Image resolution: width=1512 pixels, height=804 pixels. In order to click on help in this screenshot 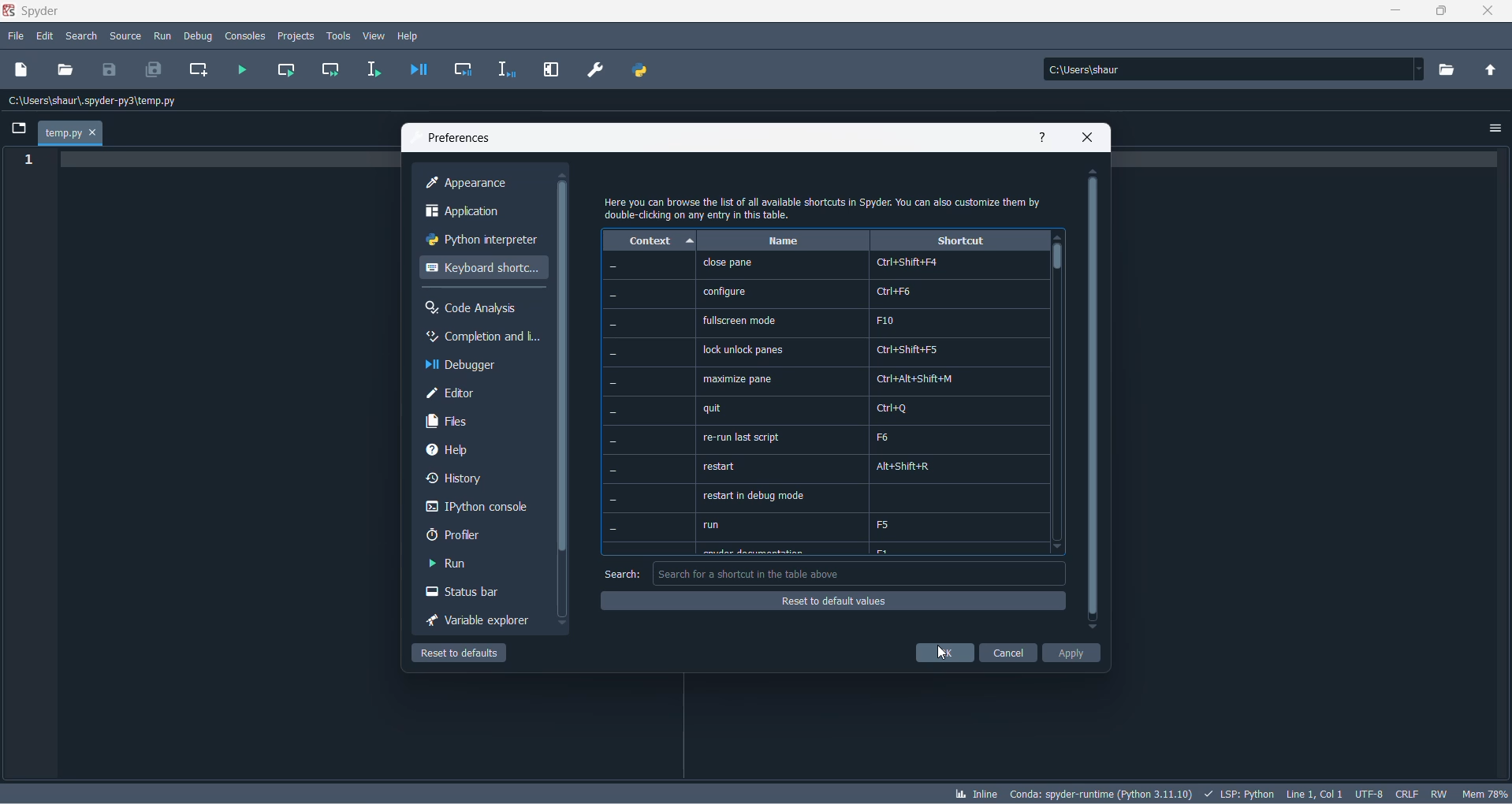, I will do `click(412, 35)`.